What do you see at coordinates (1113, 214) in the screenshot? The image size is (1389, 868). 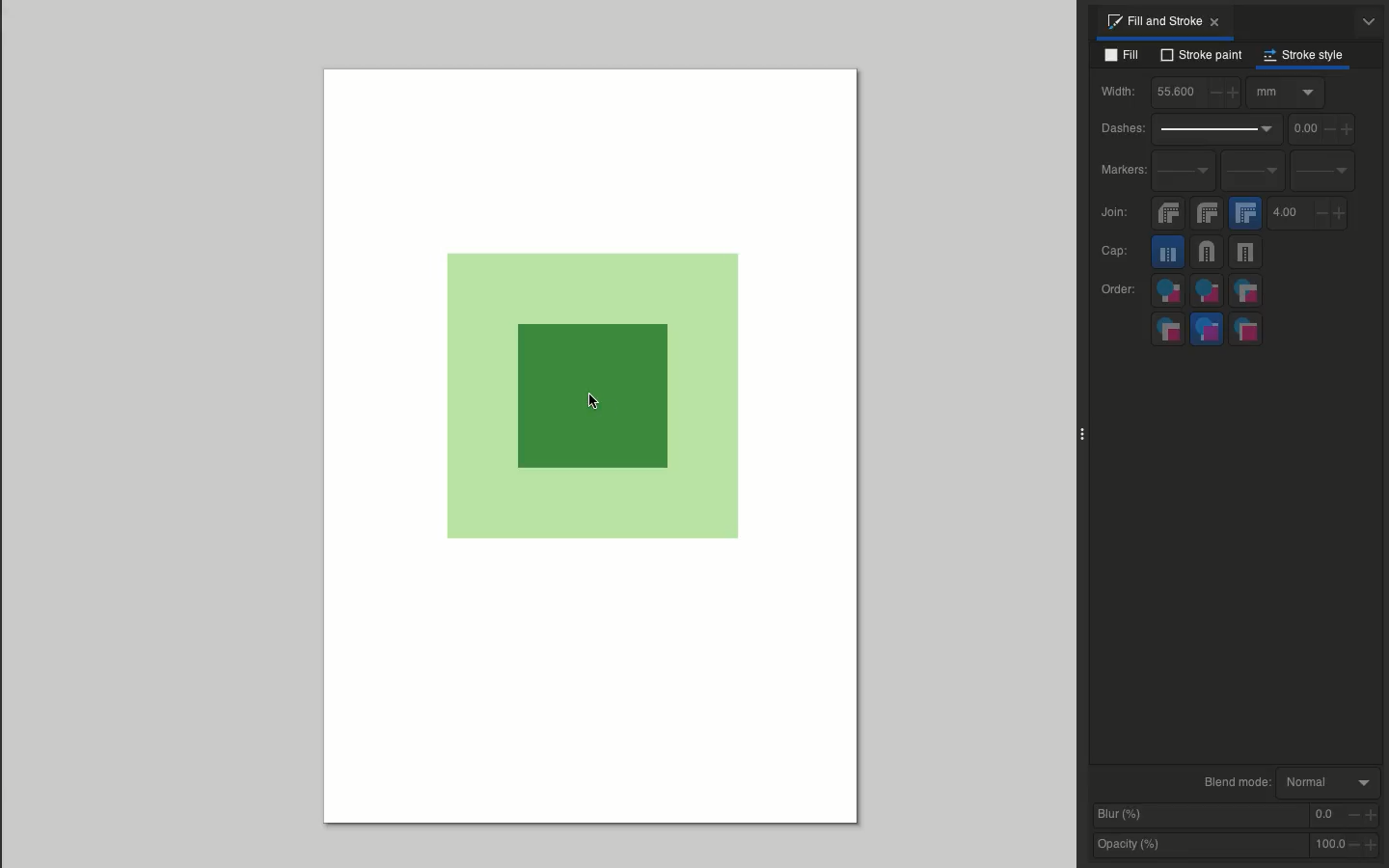 I see `Join` at bounding box center [1113, 214].